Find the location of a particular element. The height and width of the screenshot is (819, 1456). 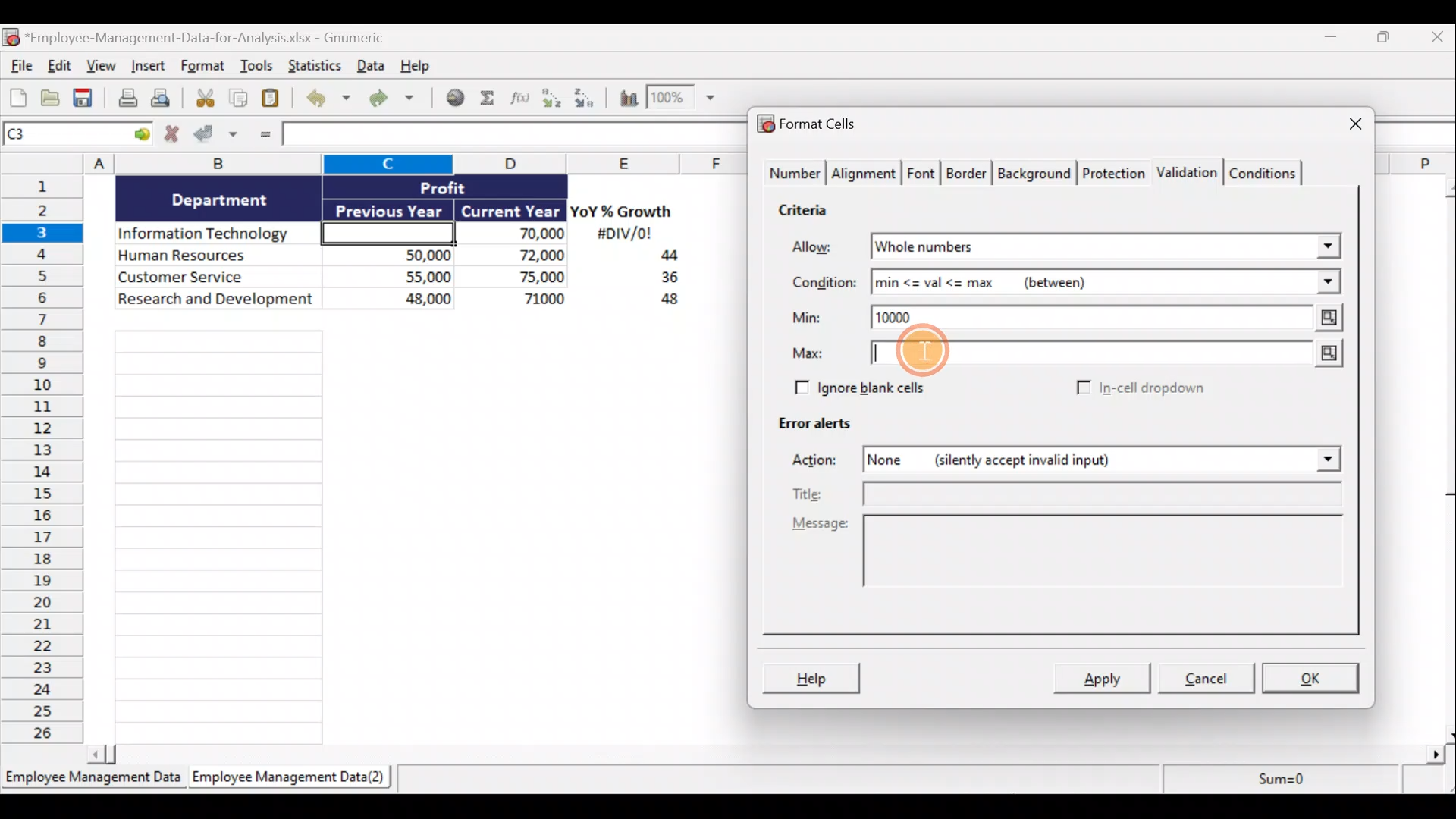

#DIV/0! is located at coordinates (623, 234).